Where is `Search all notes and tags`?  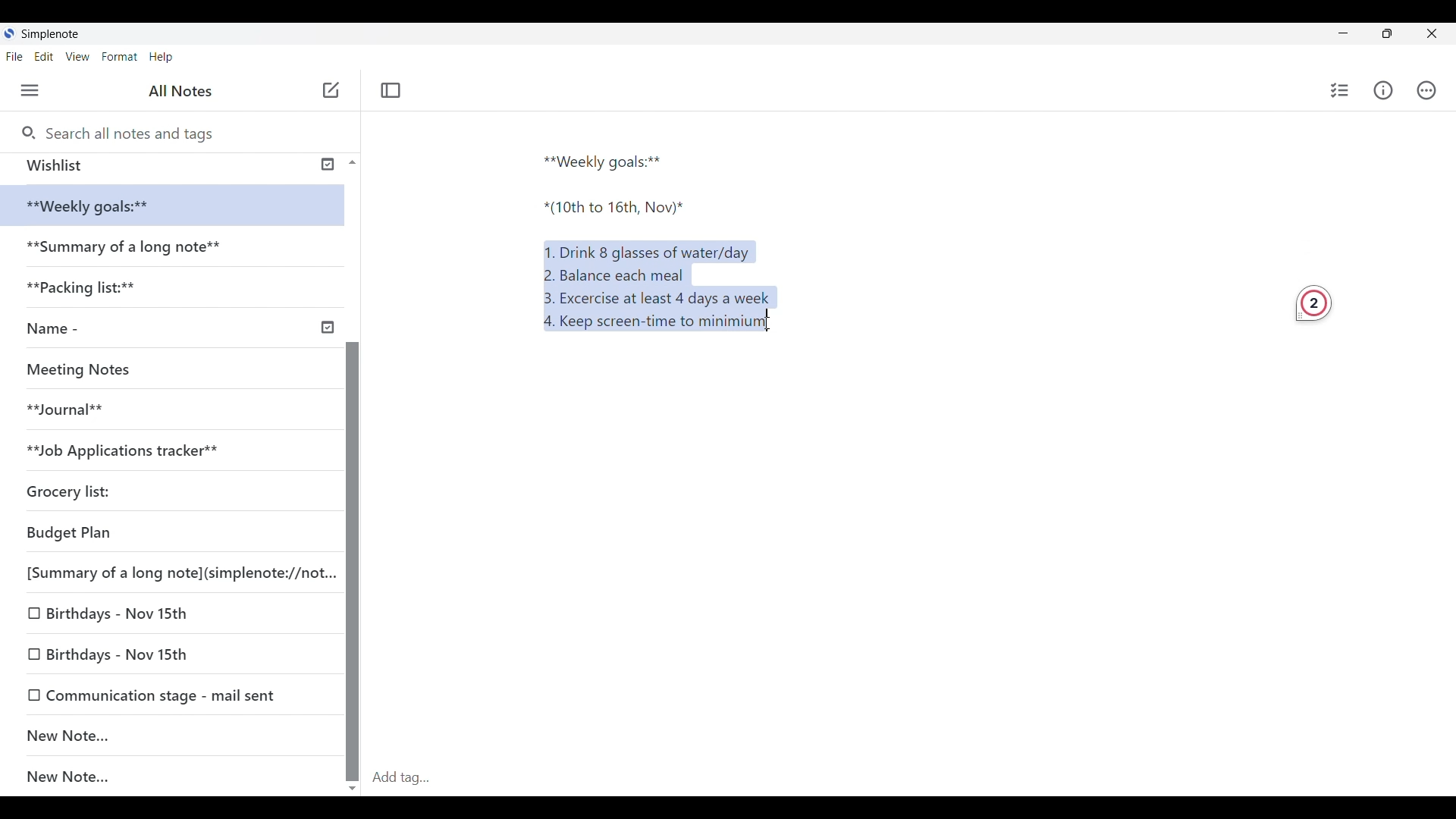 Search all notes and tags is located at coordinates (130, 131).